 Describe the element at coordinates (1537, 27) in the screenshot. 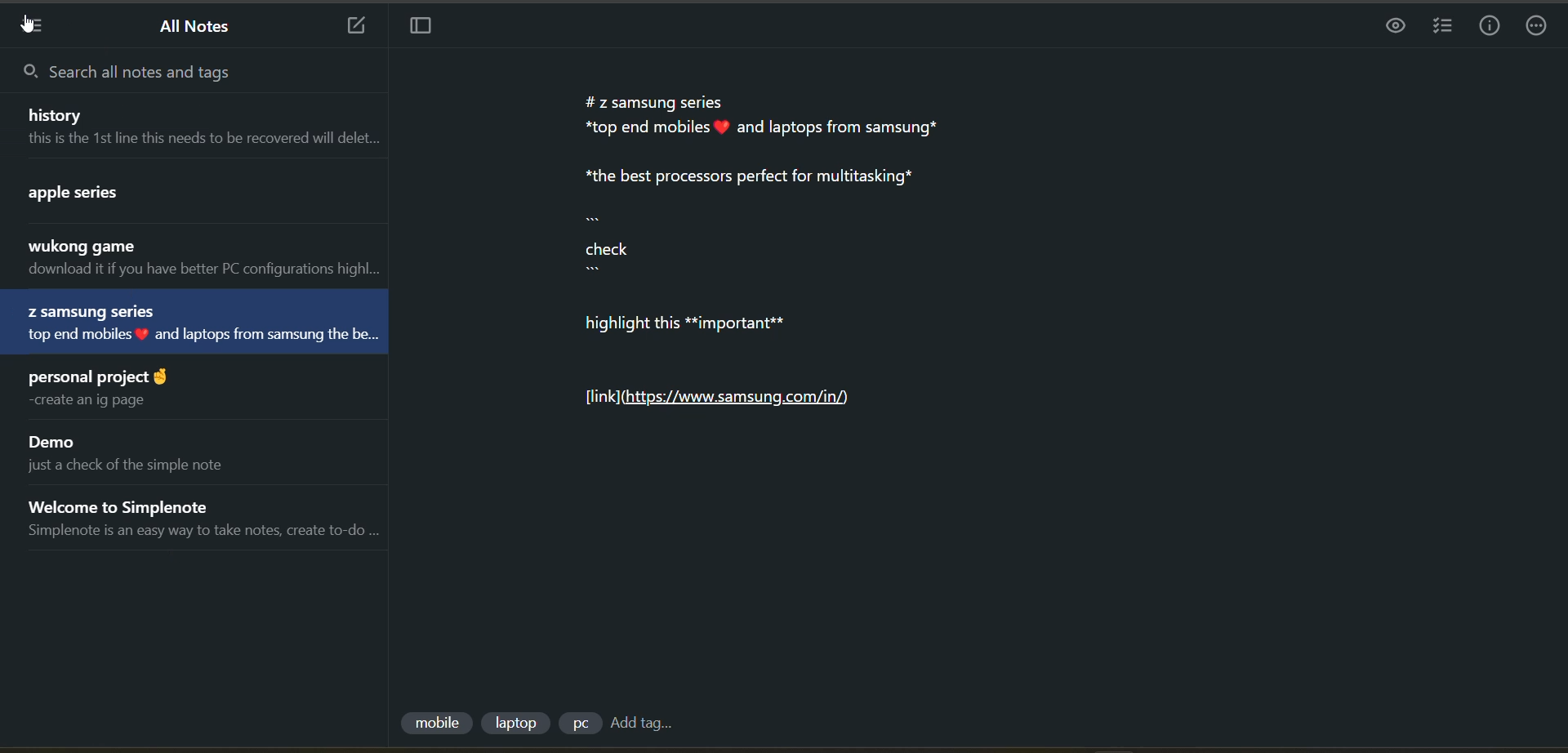

I see `actions` at that location.